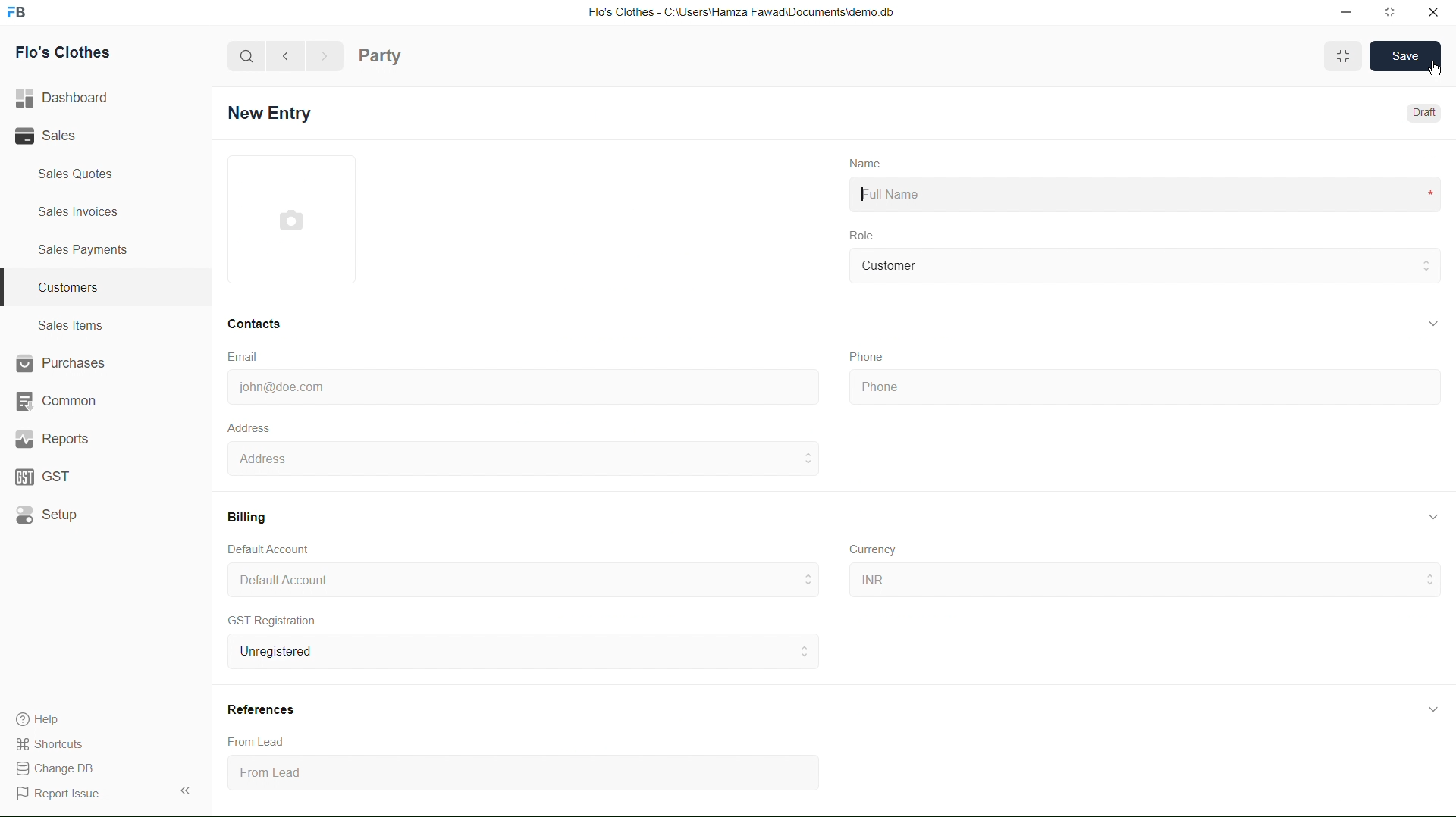 This screenshot has height=817, width=1456. I want to click on  Help, so click(45, 717).